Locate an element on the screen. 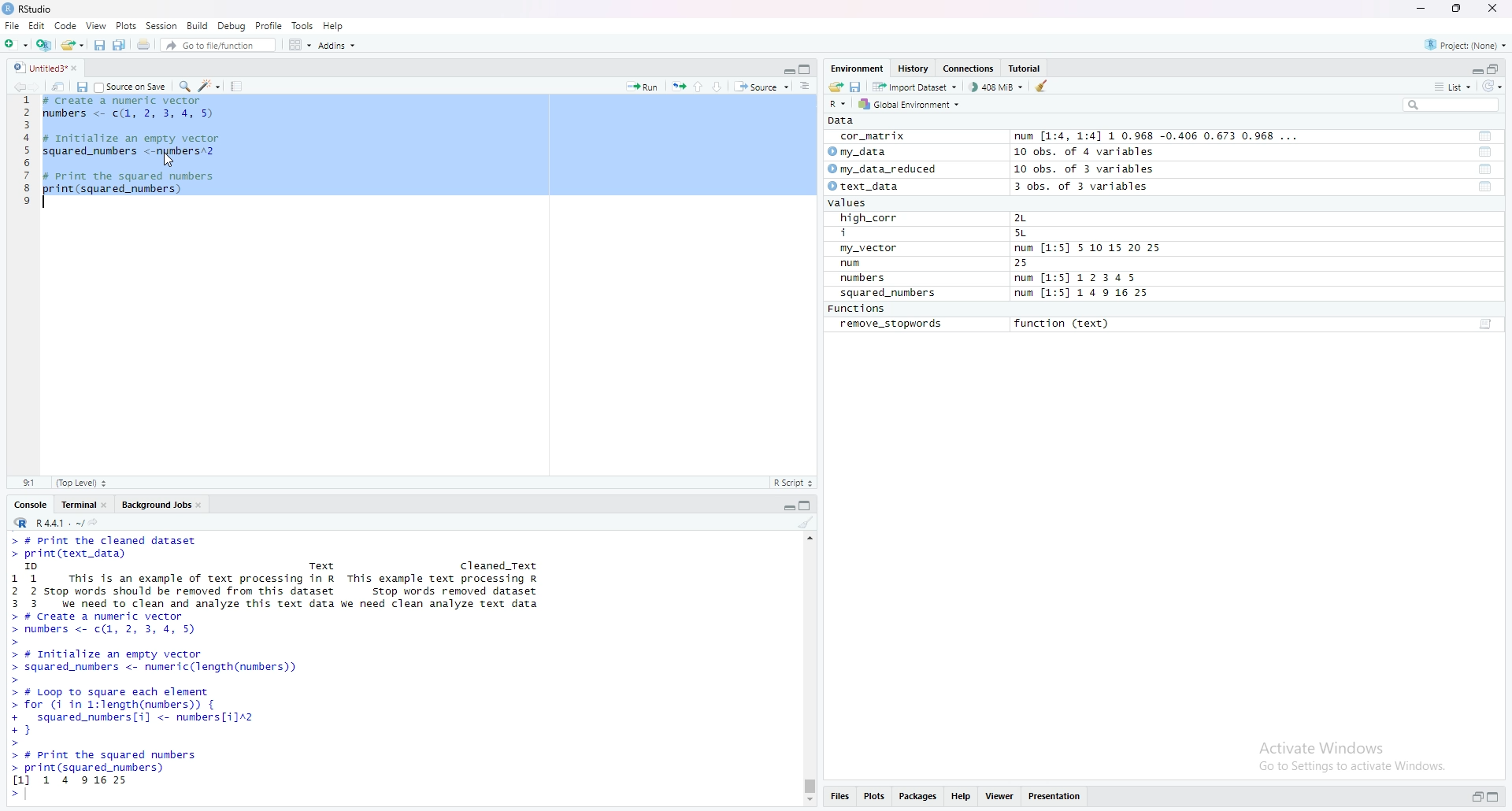  9:1 is located at coordinates (28, 482).